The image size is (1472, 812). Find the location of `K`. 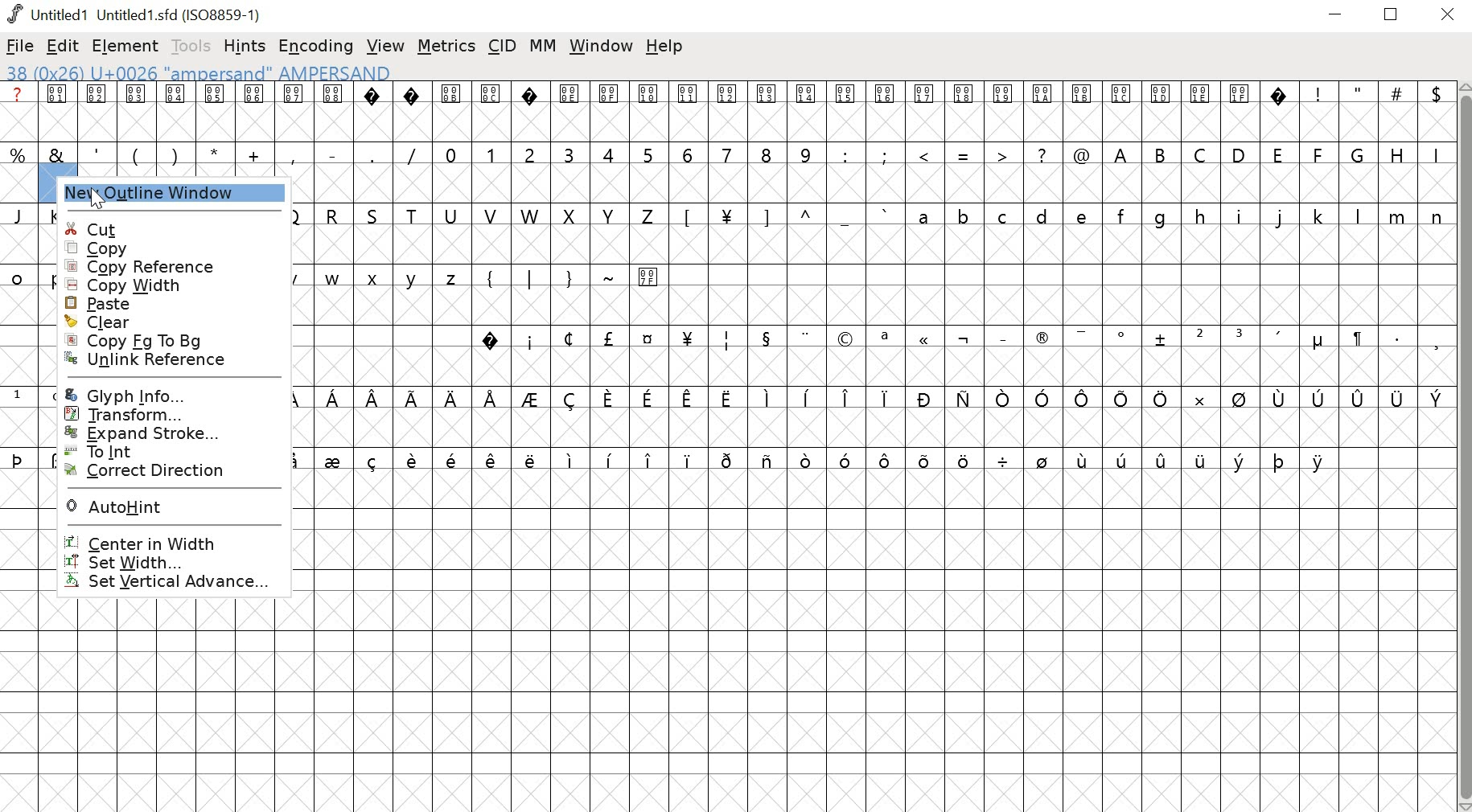

K is located at coordinates (50, 215).